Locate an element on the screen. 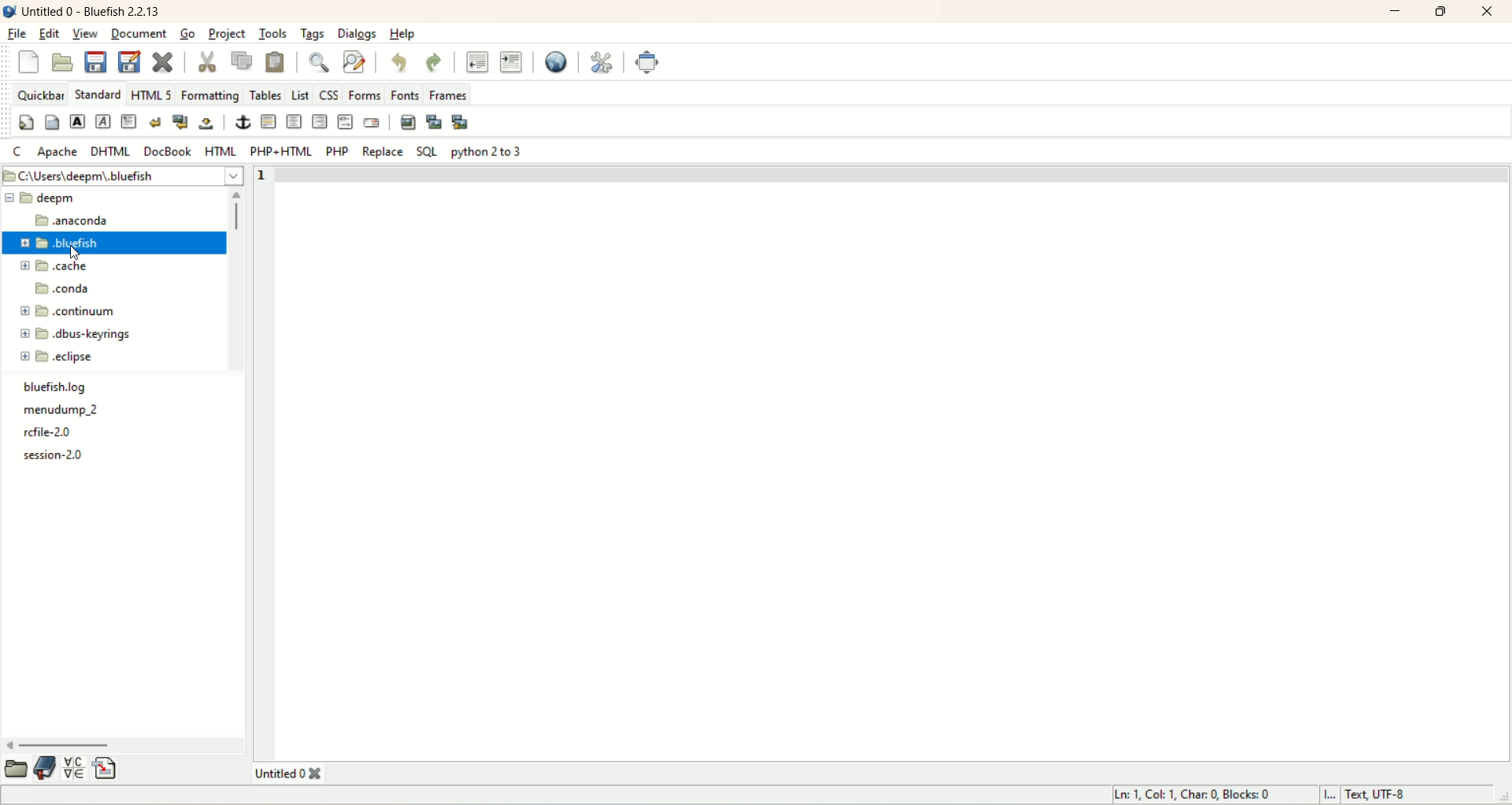  fullscreen is located at coordinates (647, 61).